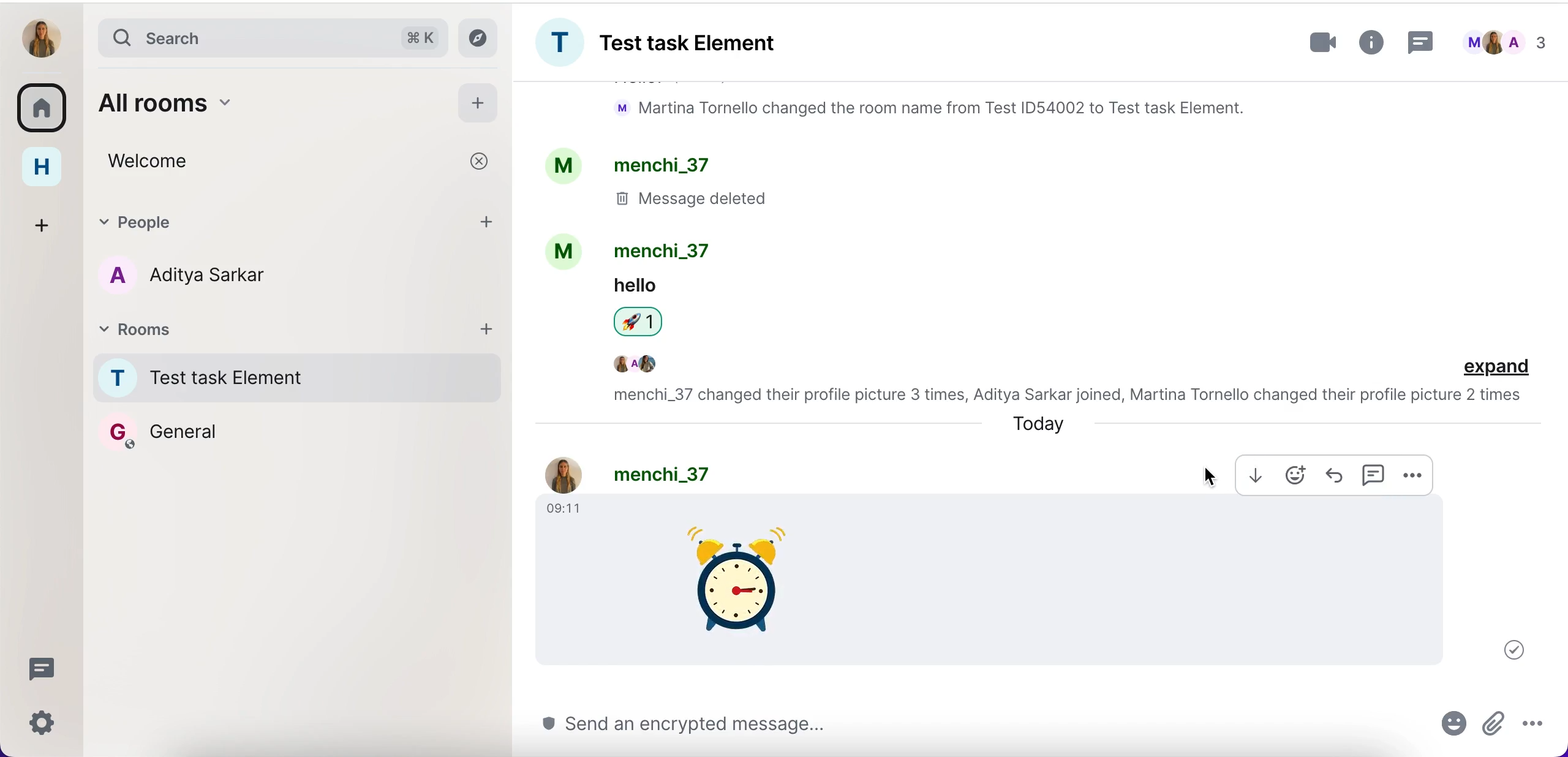 Image resolution: width=1568 pixels, height=757 pixels. Describe the element at coordinates (991, 580) in the screenshot. I see `sent gif` at that location.